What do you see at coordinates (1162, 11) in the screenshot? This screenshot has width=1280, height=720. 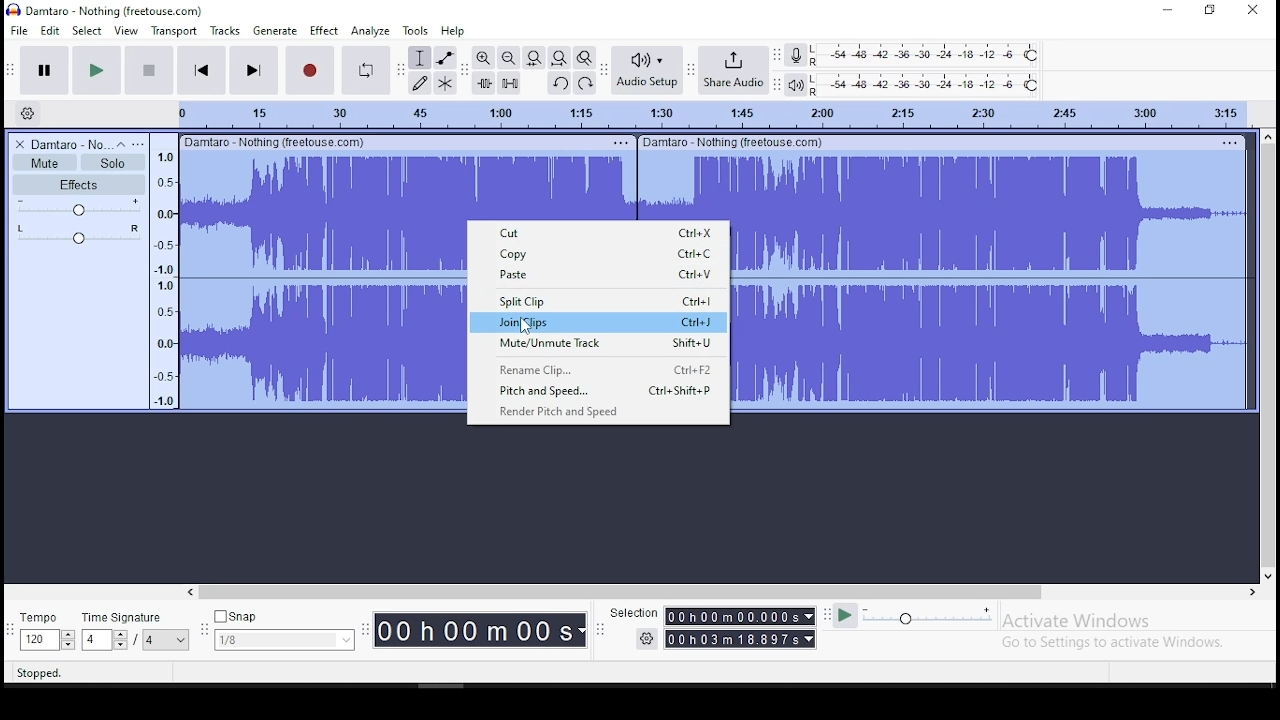 I see `minimize` at bounding box center [1162, 11].